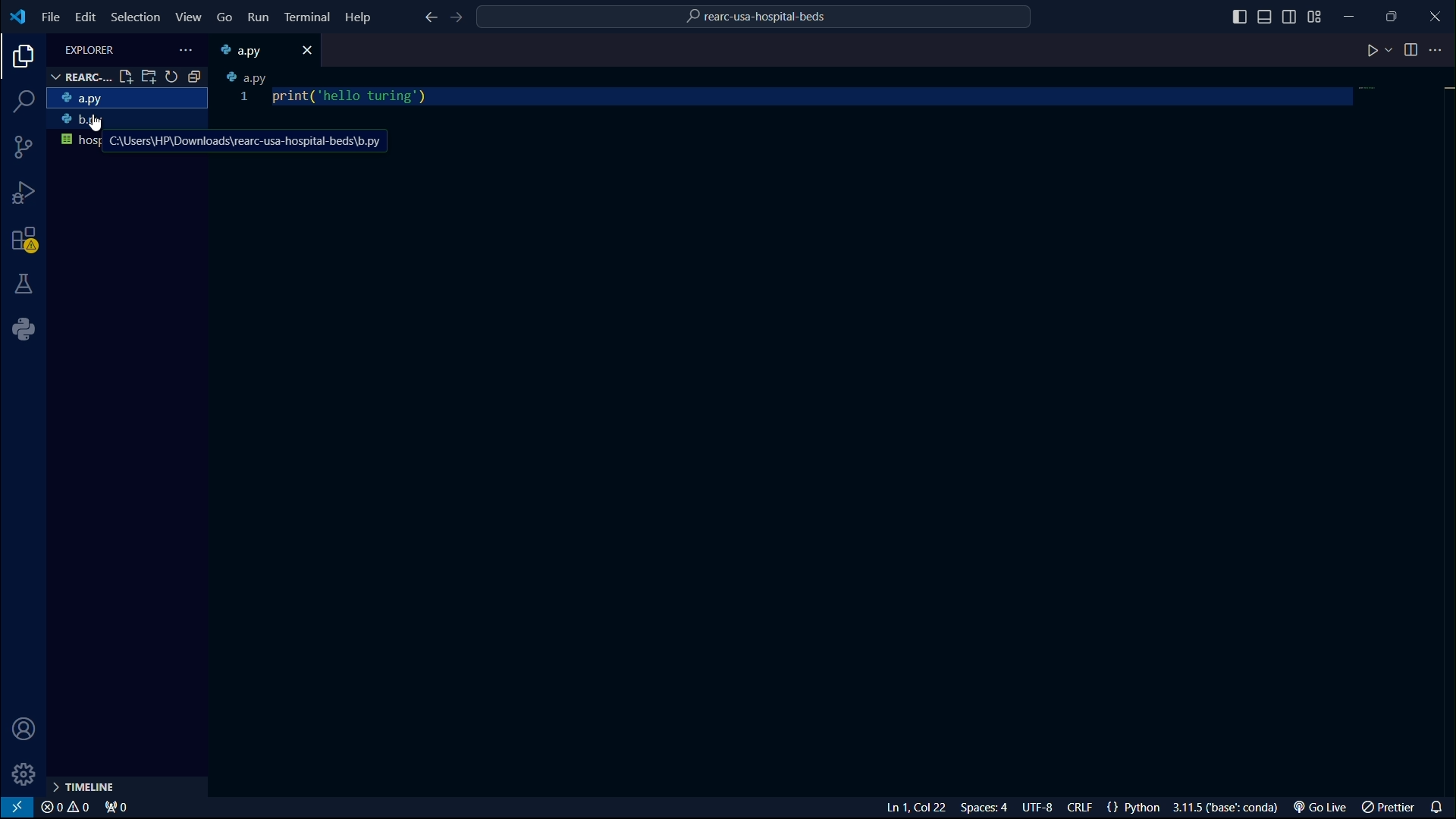  Describe the element at coordinates (461, 19) in the screenshot. I see `go forward` at that location.